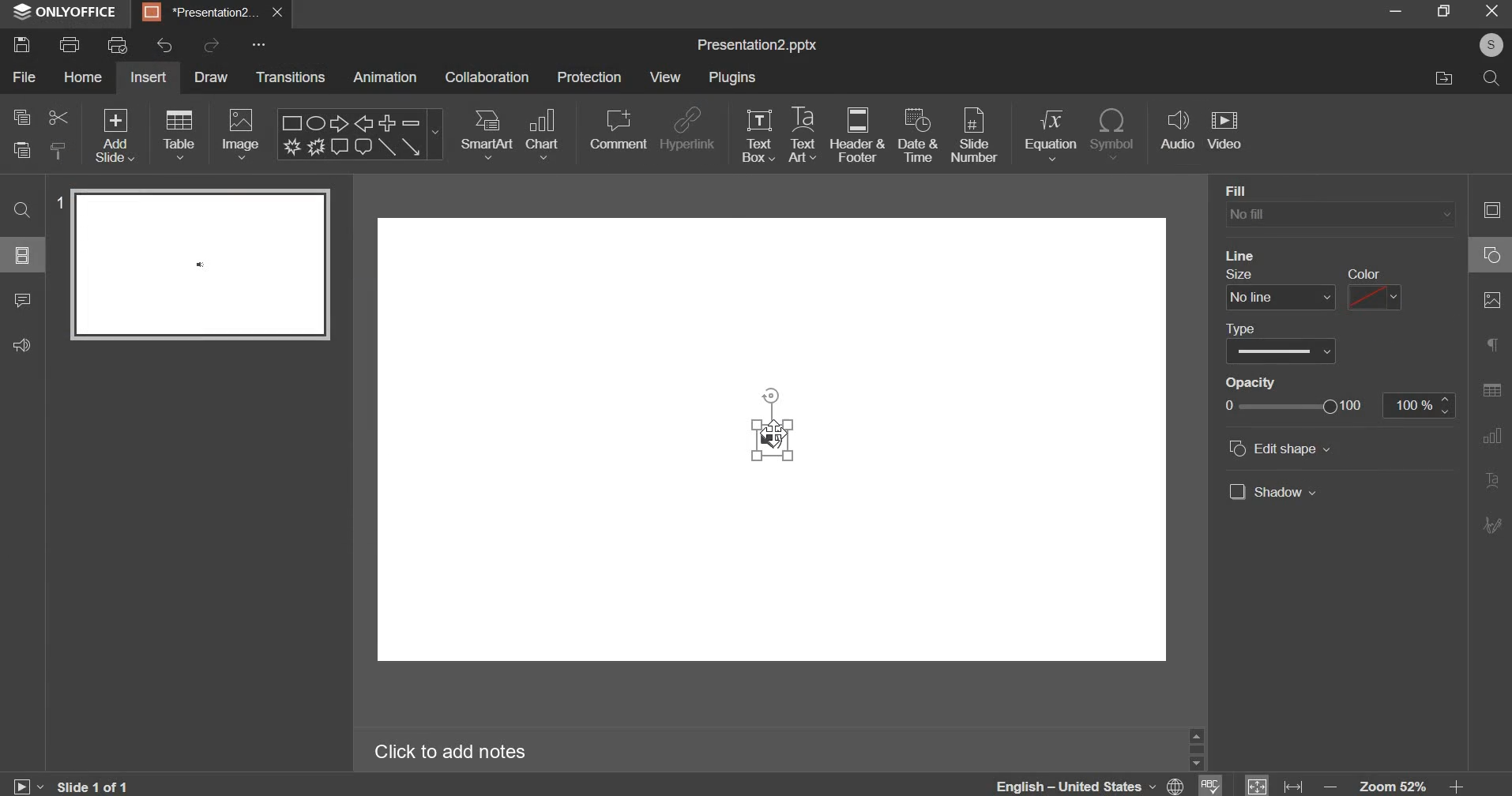 The width and height of the screenshot is (1512, 796). Describe the element at coordinates (23, 256) in the screenshot. I see `slide` at that location.